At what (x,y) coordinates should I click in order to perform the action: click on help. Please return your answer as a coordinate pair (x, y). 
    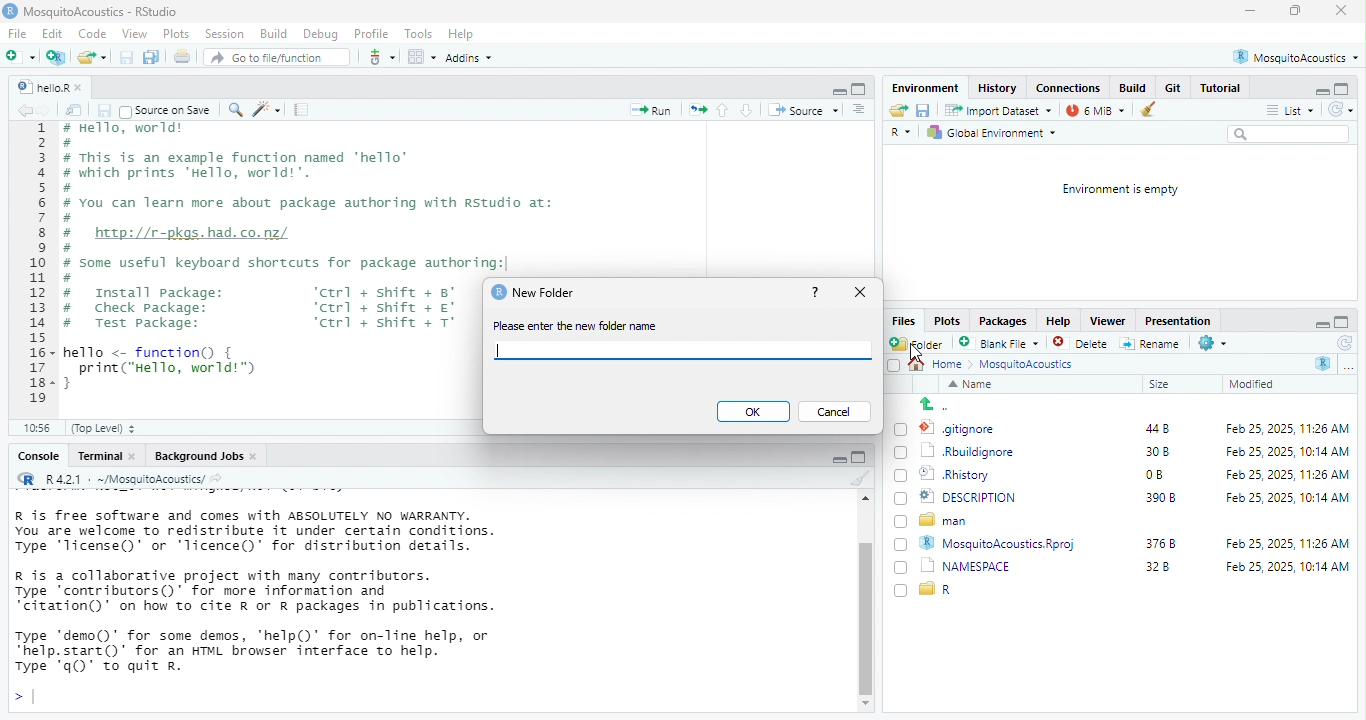
    Looking at the image, I should click on (815, 293).